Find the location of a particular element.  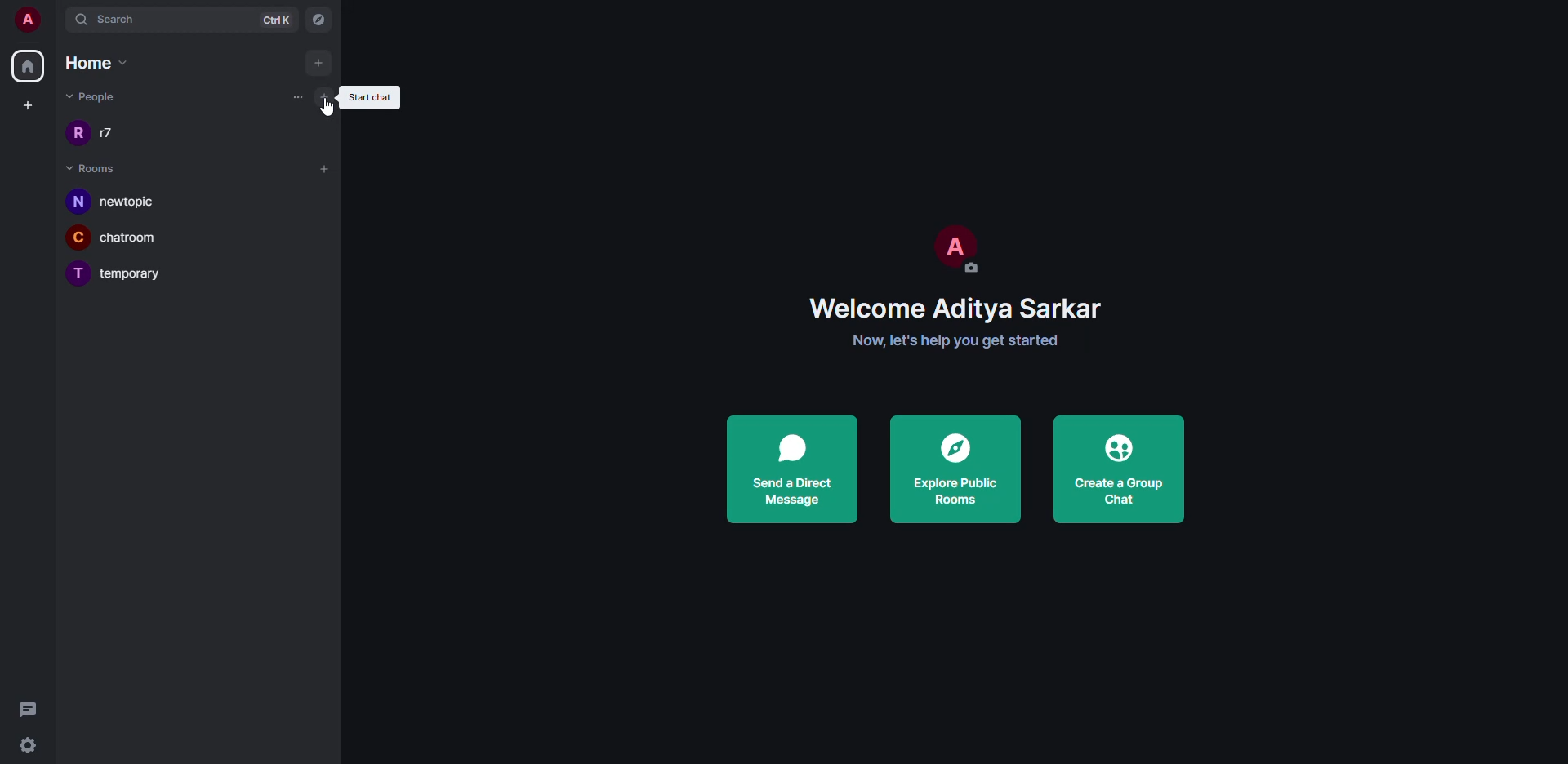

profile is located at coordinates (953, 241).